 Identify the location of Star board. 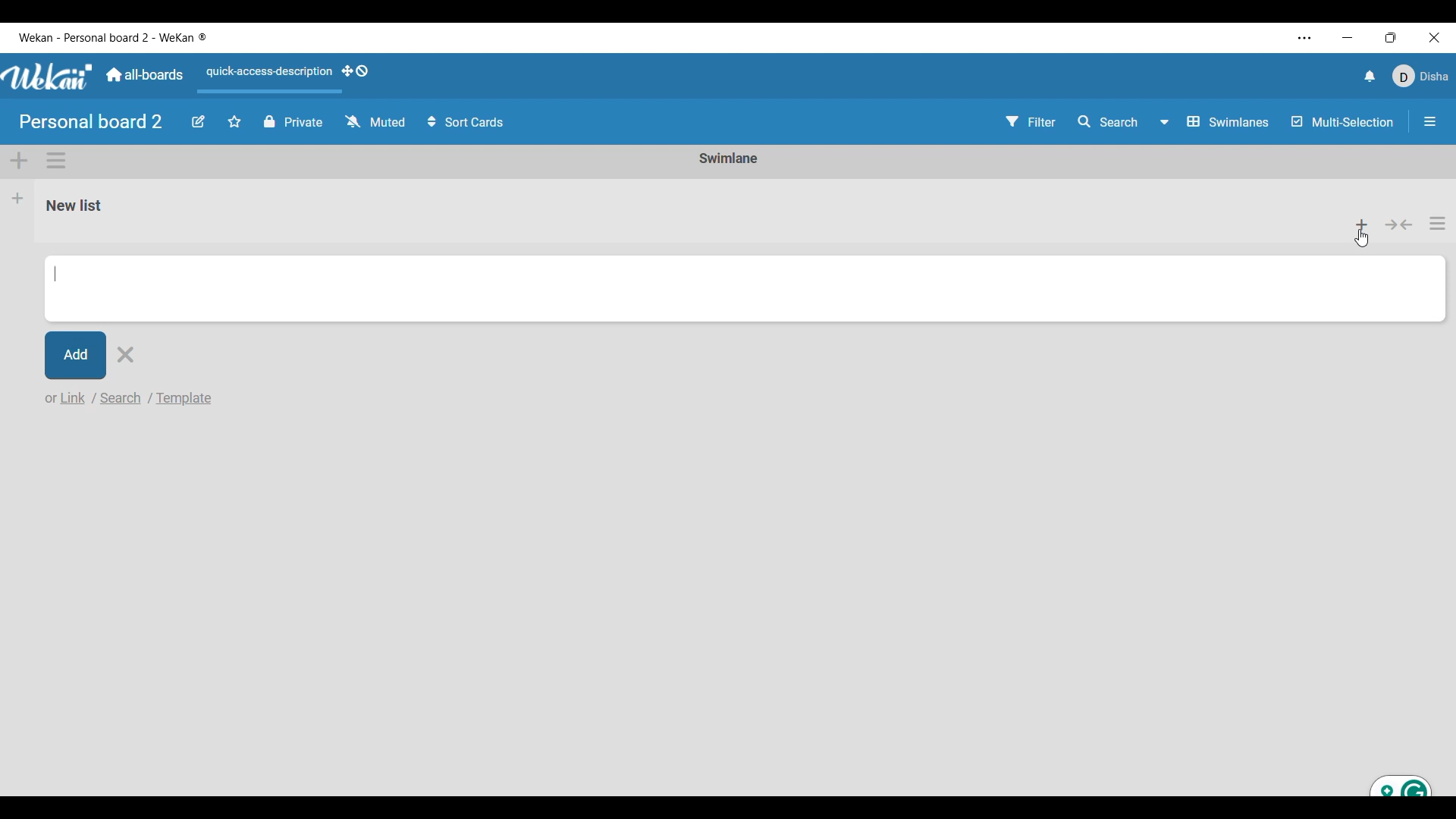
(234, 121).